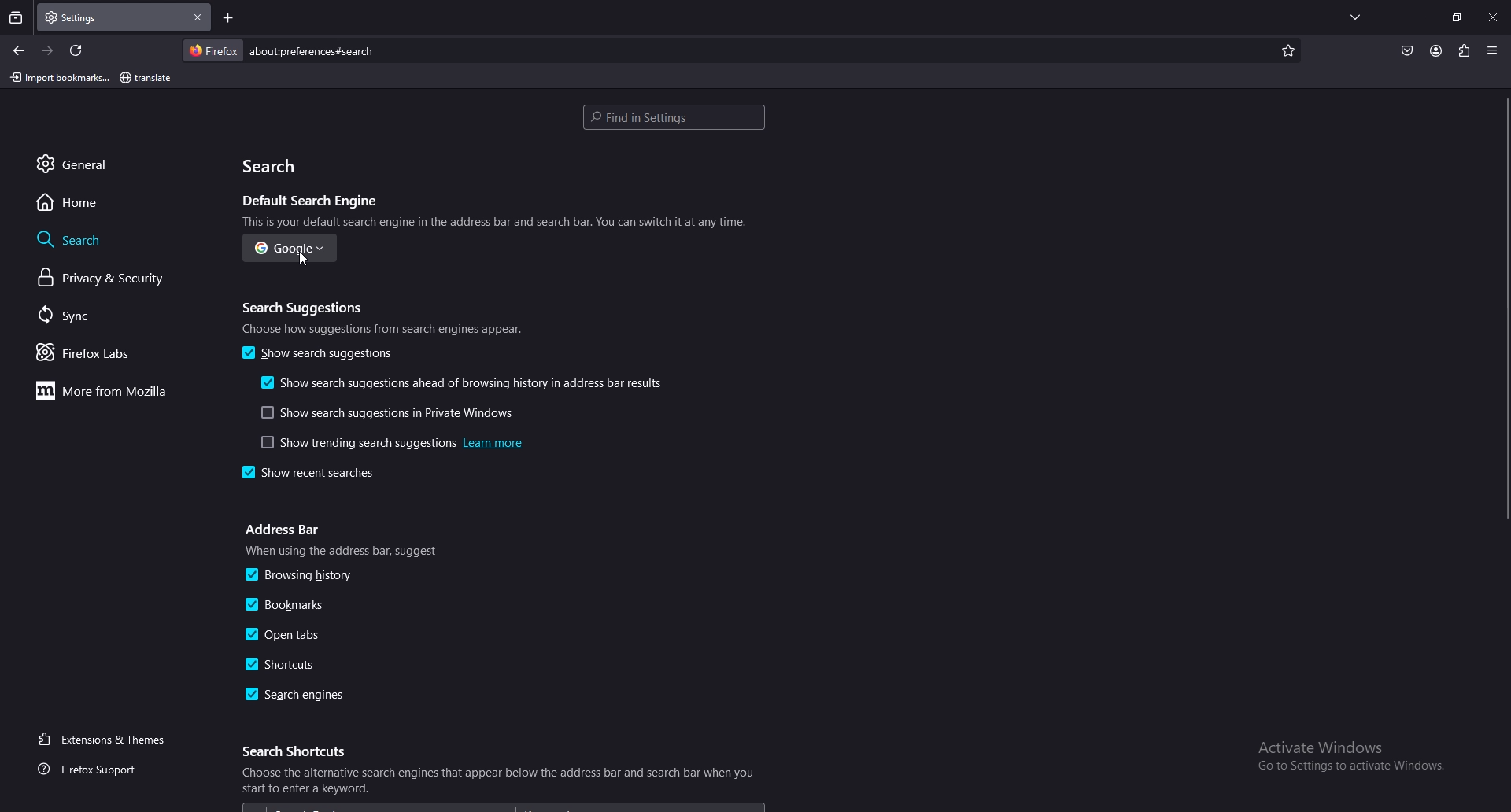 Image resolution: width=1511 pixels, height=812 pixels. I want to click on list all tabs, so click(1358, 17).